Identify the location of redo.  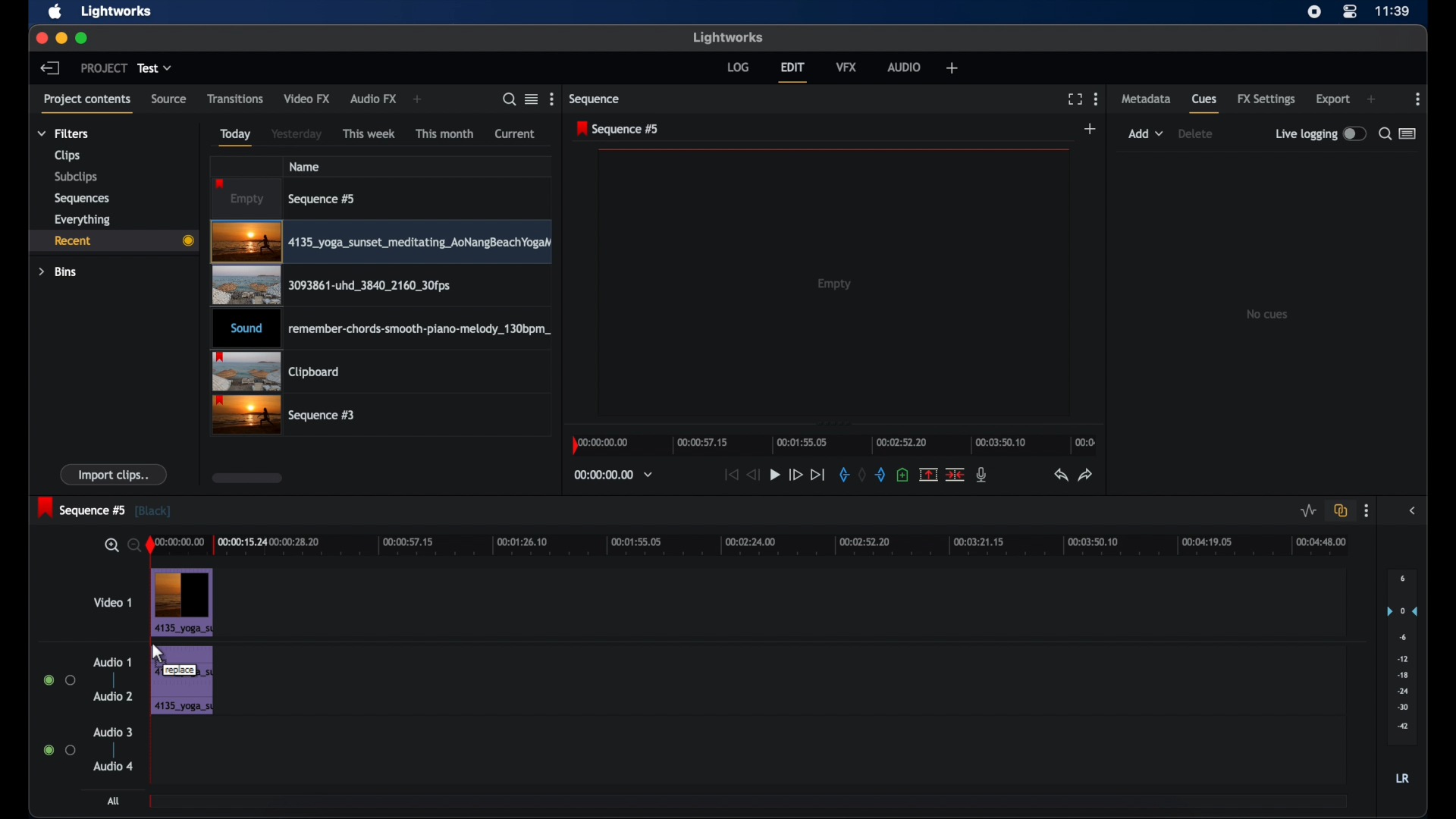
(1086, 475).